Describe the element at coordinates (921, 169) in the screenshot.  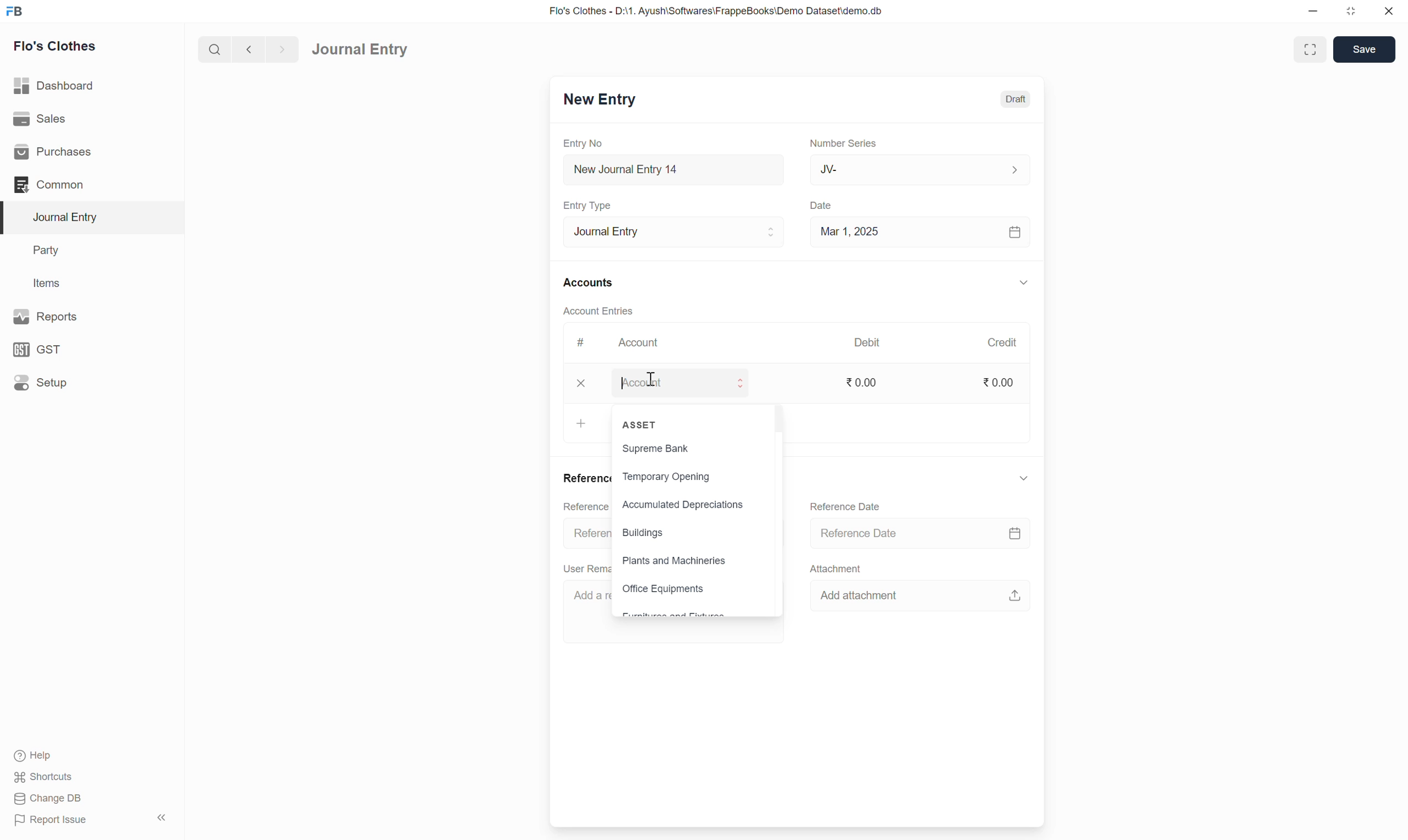
I see `JV-` at that location.